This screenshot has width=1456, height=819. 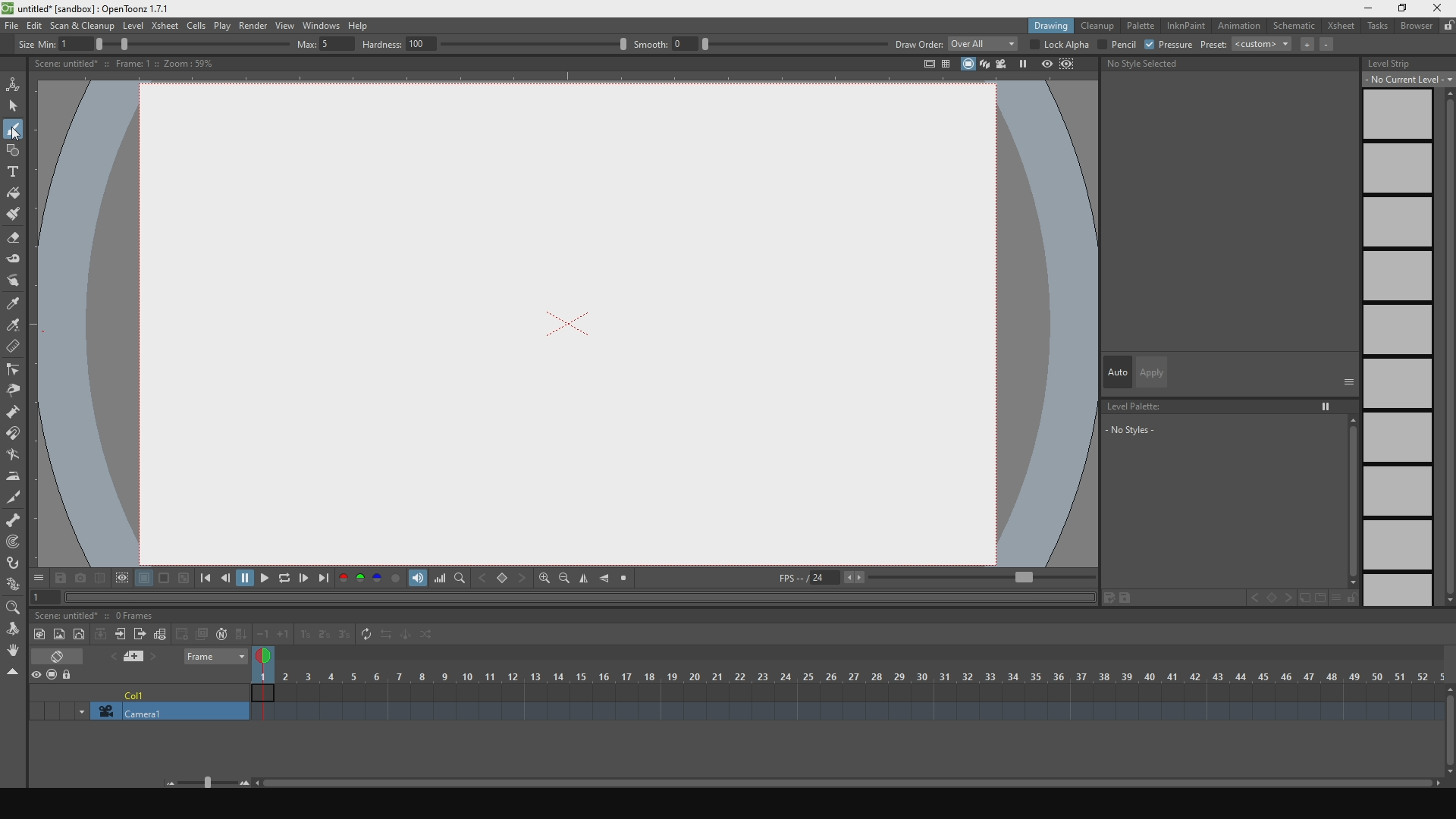 I want to click on size percentage, so click(x=197, y=44).